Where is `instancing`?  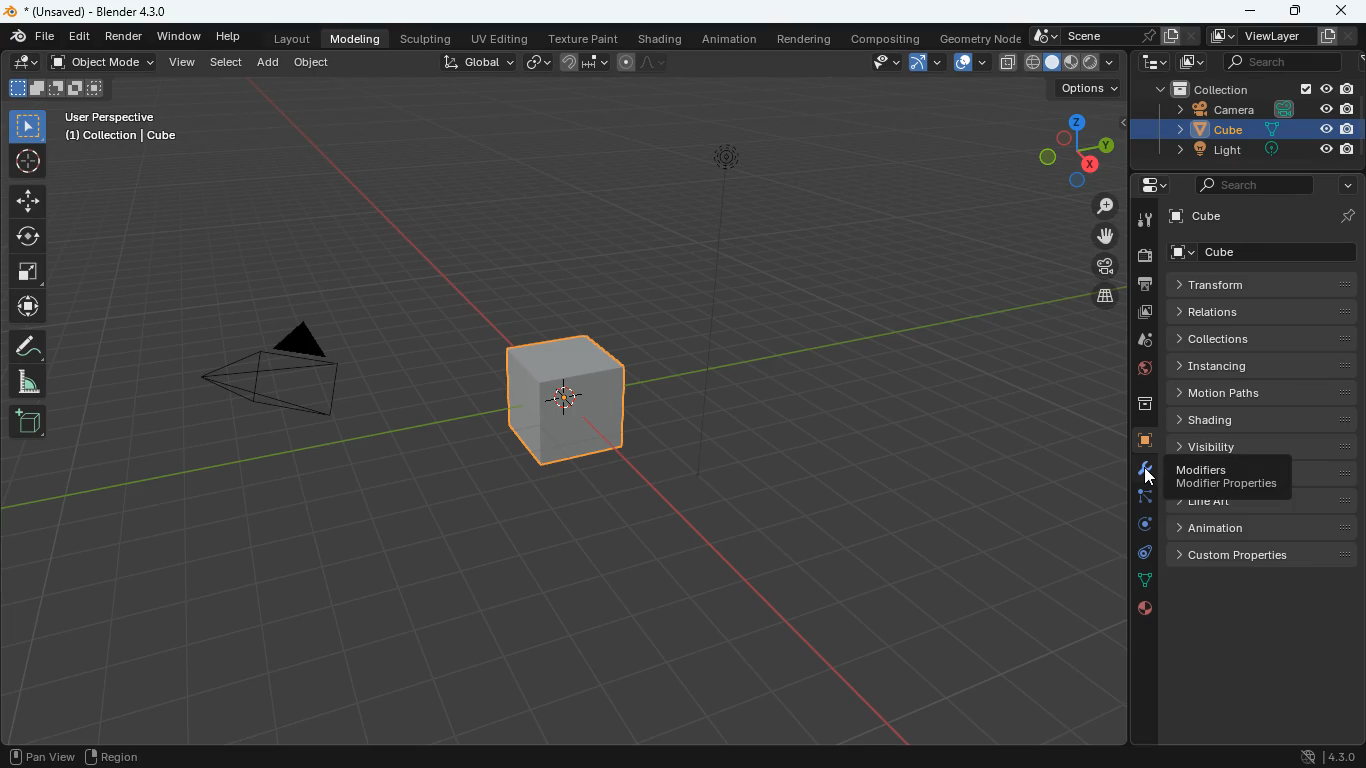 instancing is located at coordinates (1263, 366).